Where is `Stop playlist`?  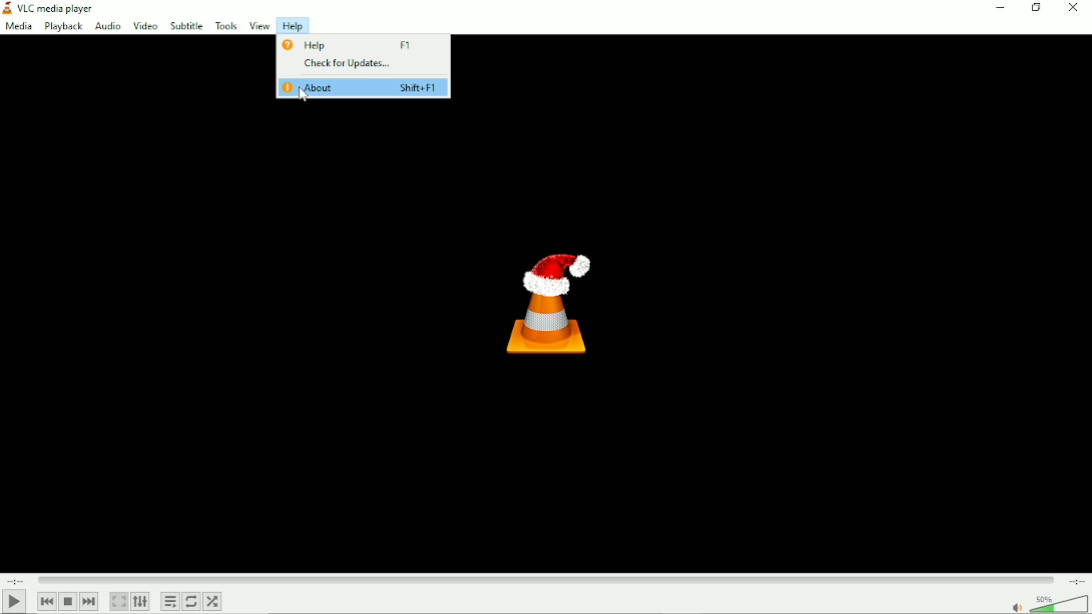
Stop playlist is located at coordinates (67, 600).